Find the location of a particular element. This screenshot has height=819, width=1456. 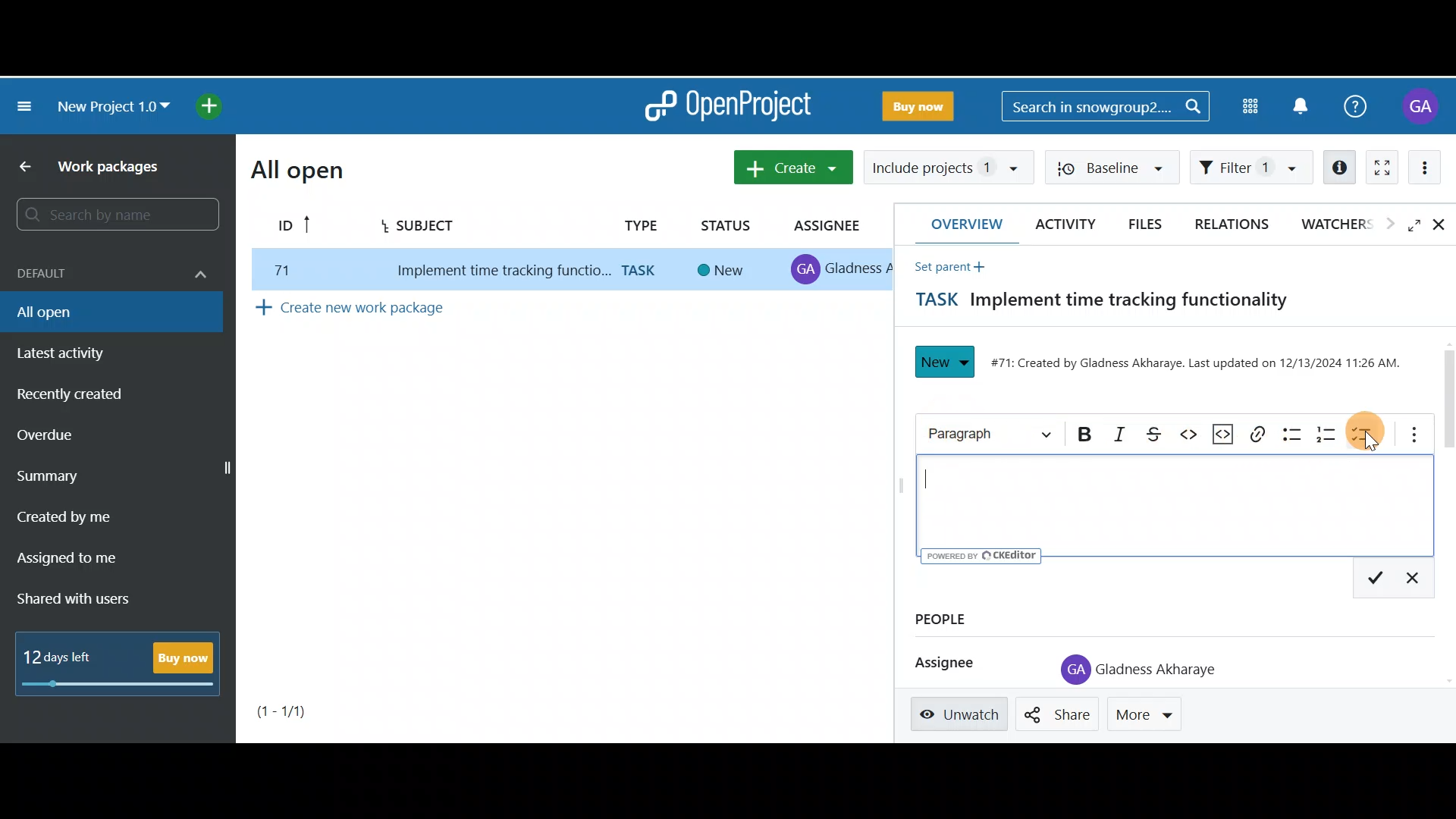

Page number is located at coordinates (305, 711).